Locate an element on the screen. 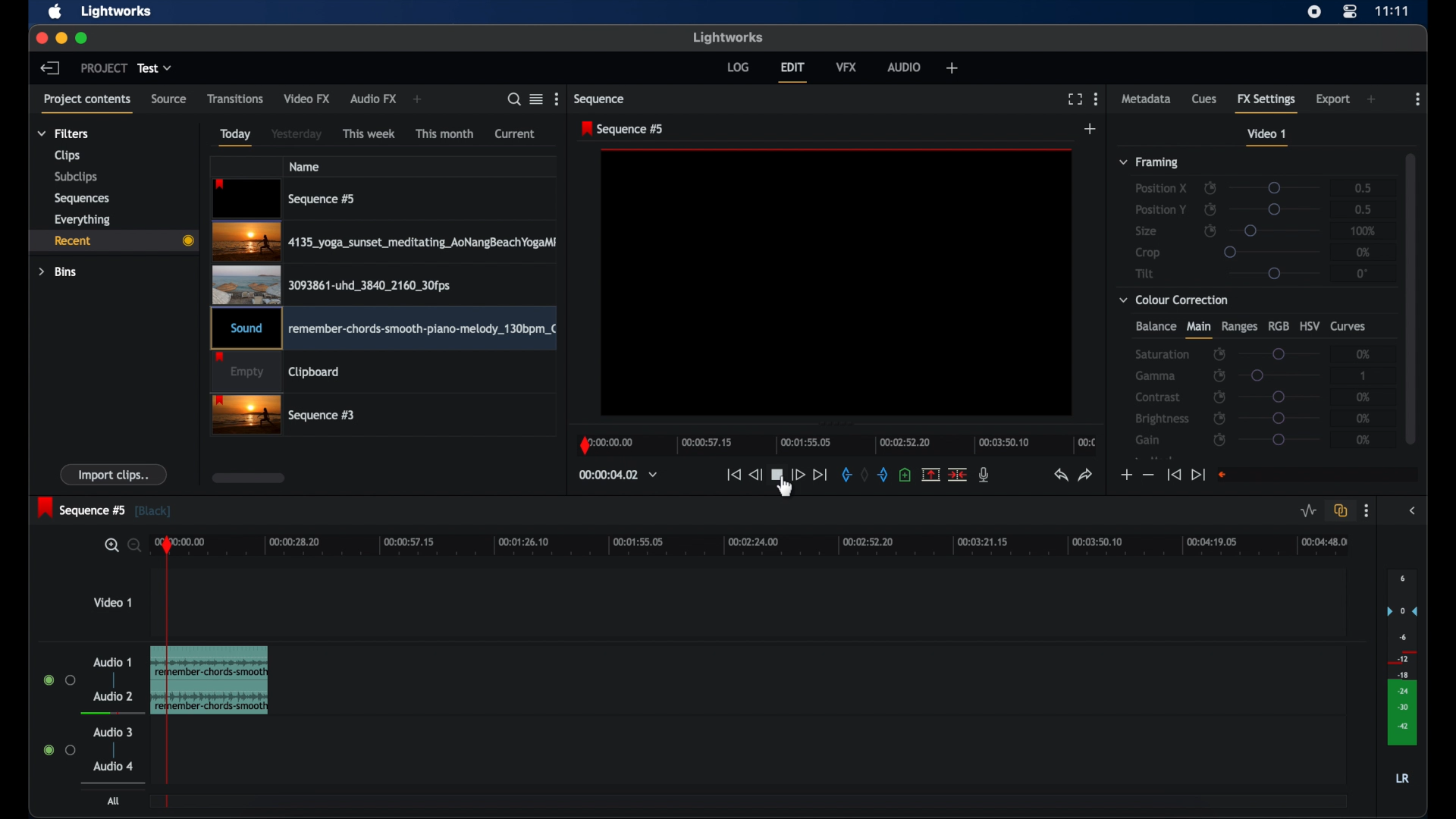 This screenshot has width=1456, height=819. log is located at coordinates (738, 67).